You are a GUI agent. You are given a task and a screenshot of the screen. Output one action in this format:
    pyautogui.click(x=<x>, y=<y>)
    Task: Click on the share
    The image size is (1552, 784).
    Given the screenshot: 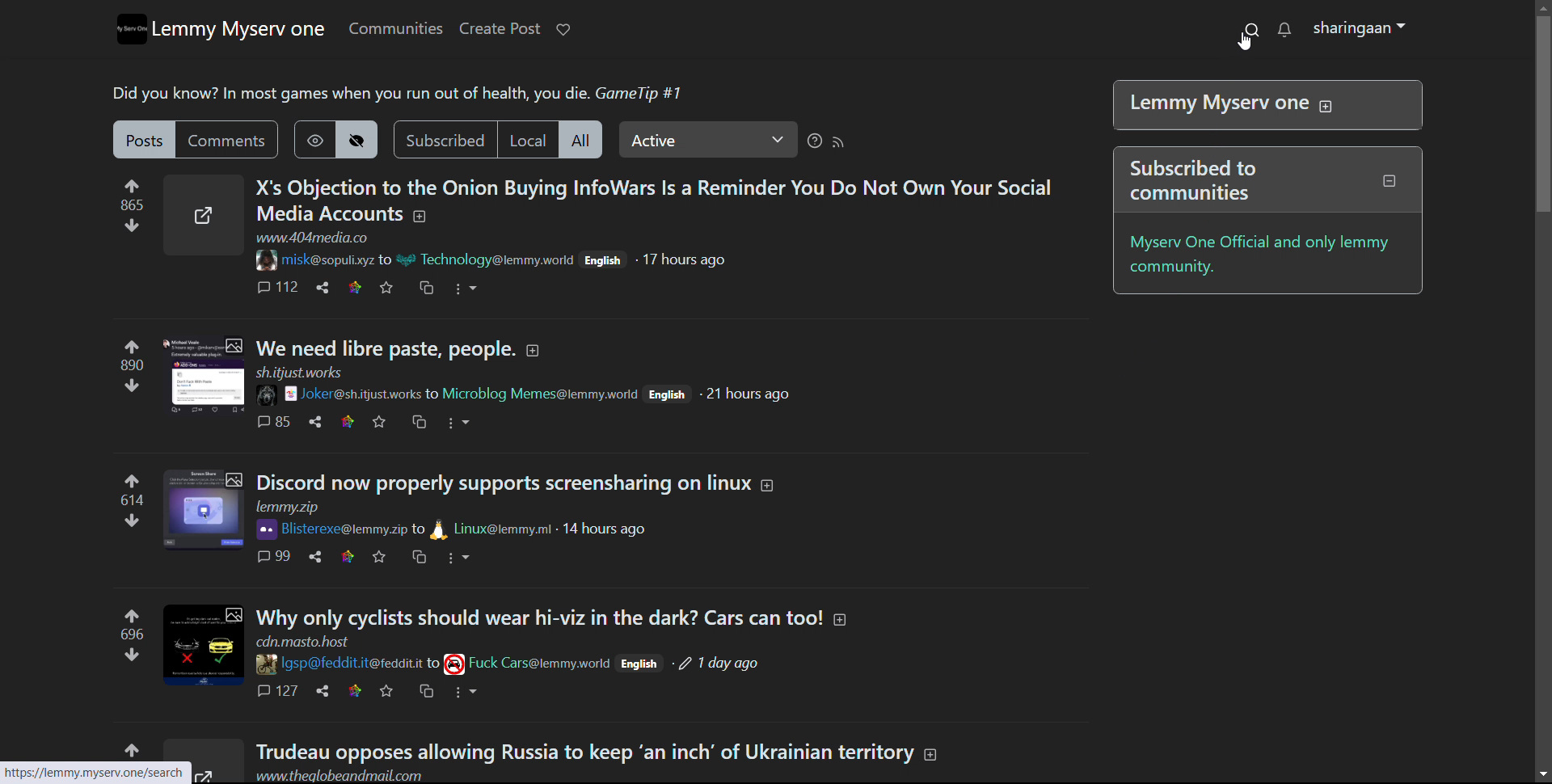 What is the action you would take?
    pyautogui.click(x=322, y=288)
    